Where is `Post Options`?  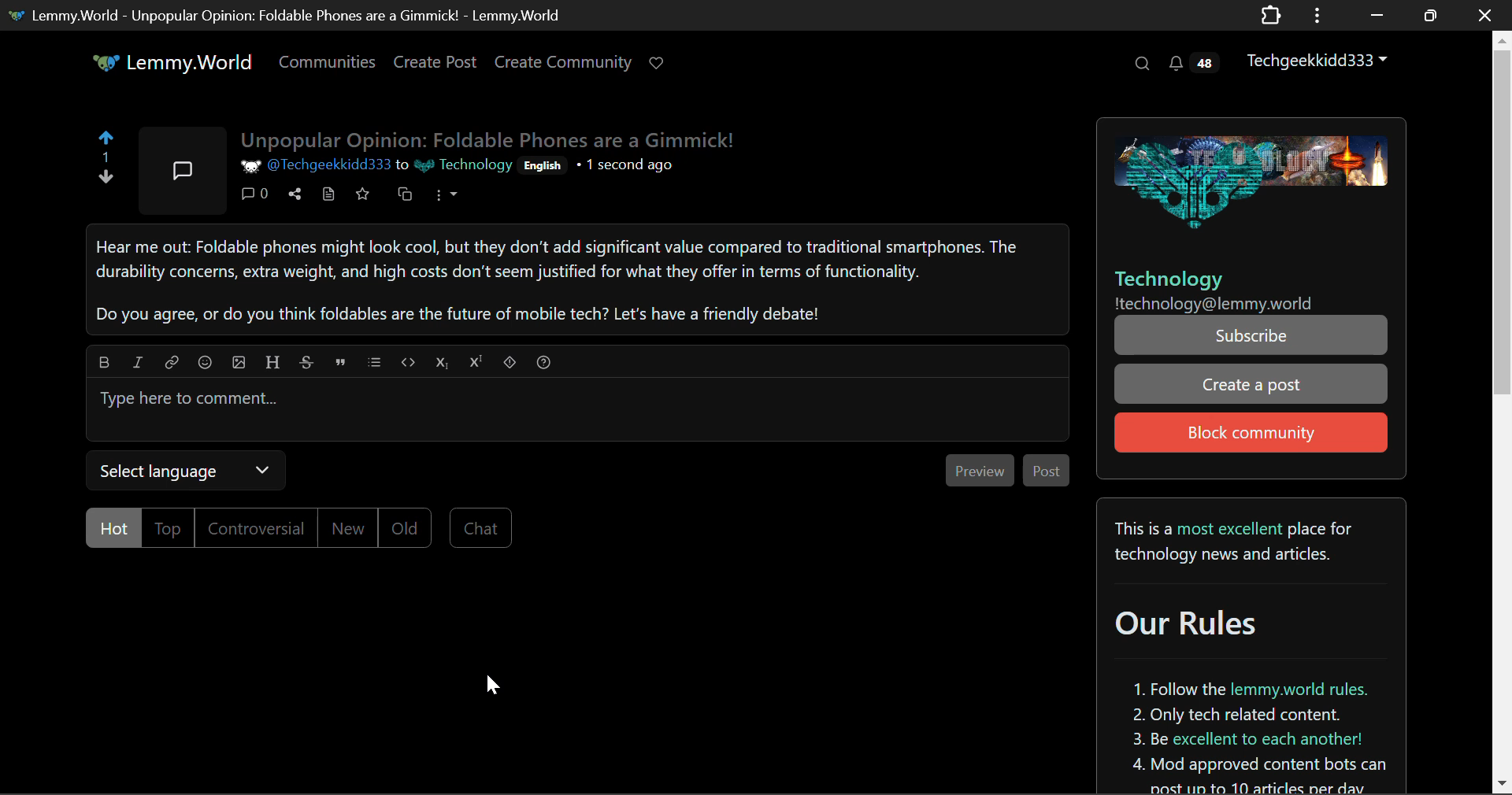 Post Options is located at coordinates (448, 201).